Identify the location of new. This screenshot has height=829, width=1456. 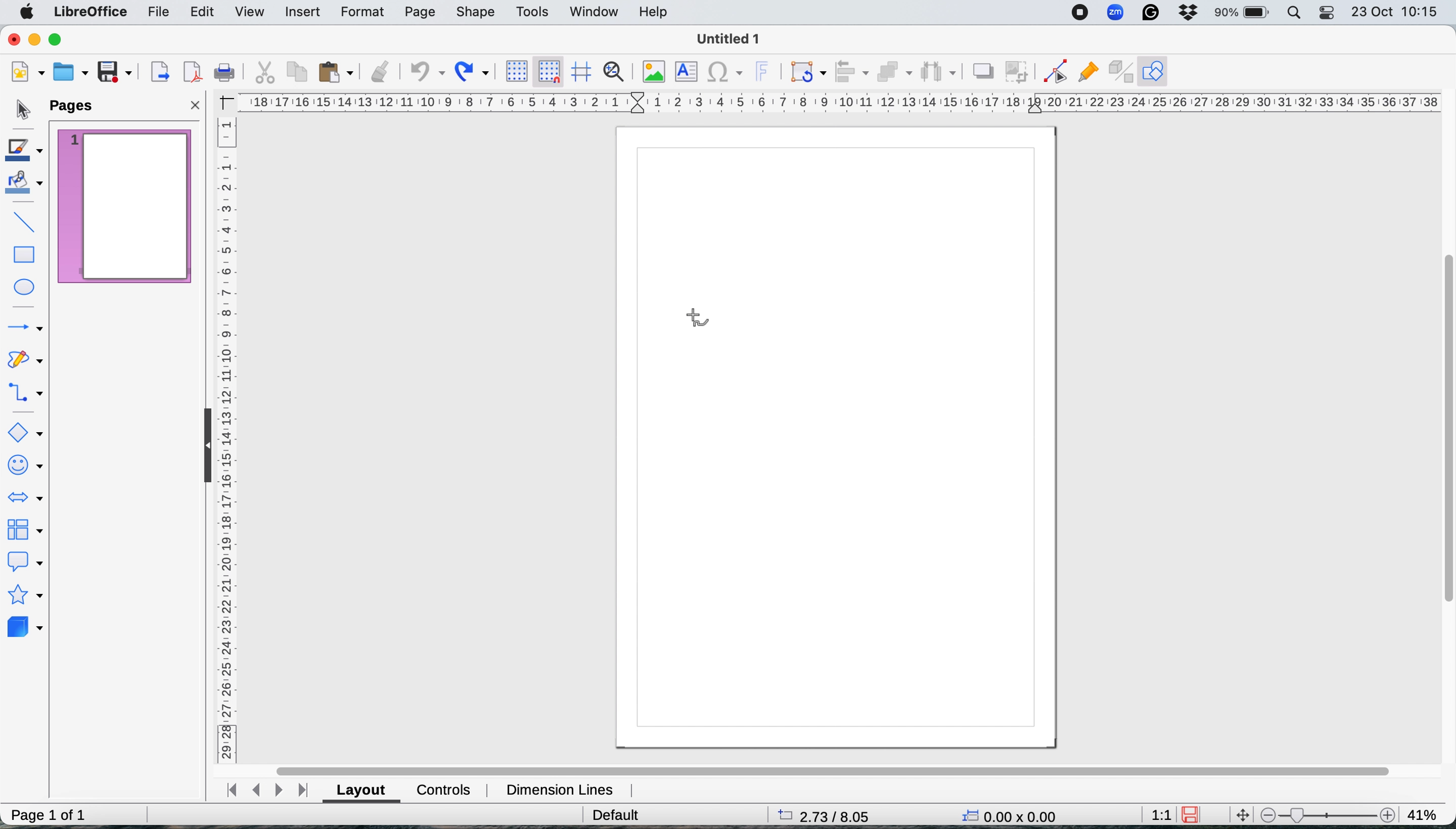
(27, 71).